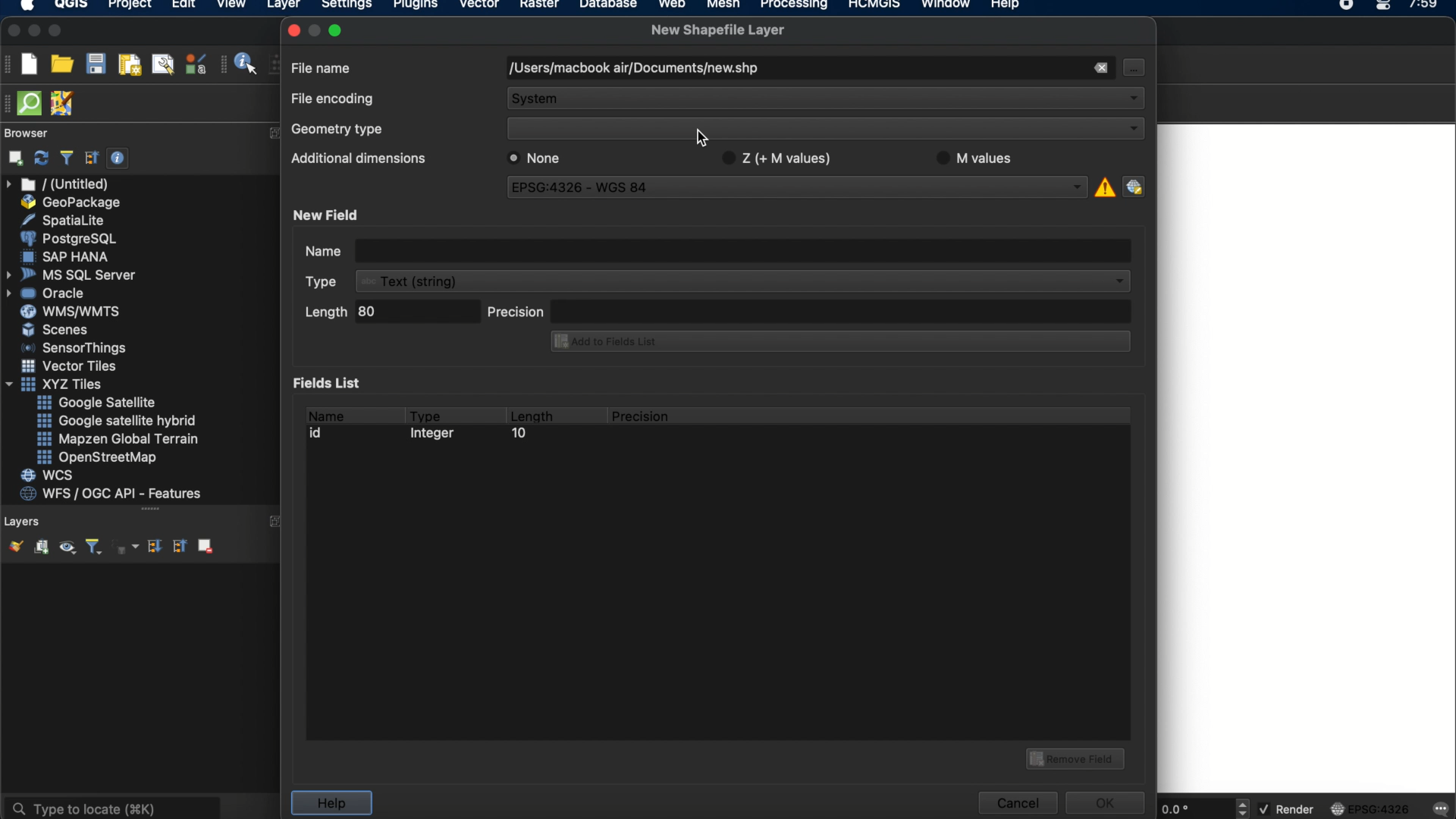  I want to click on QGIS, so click(72, 6).